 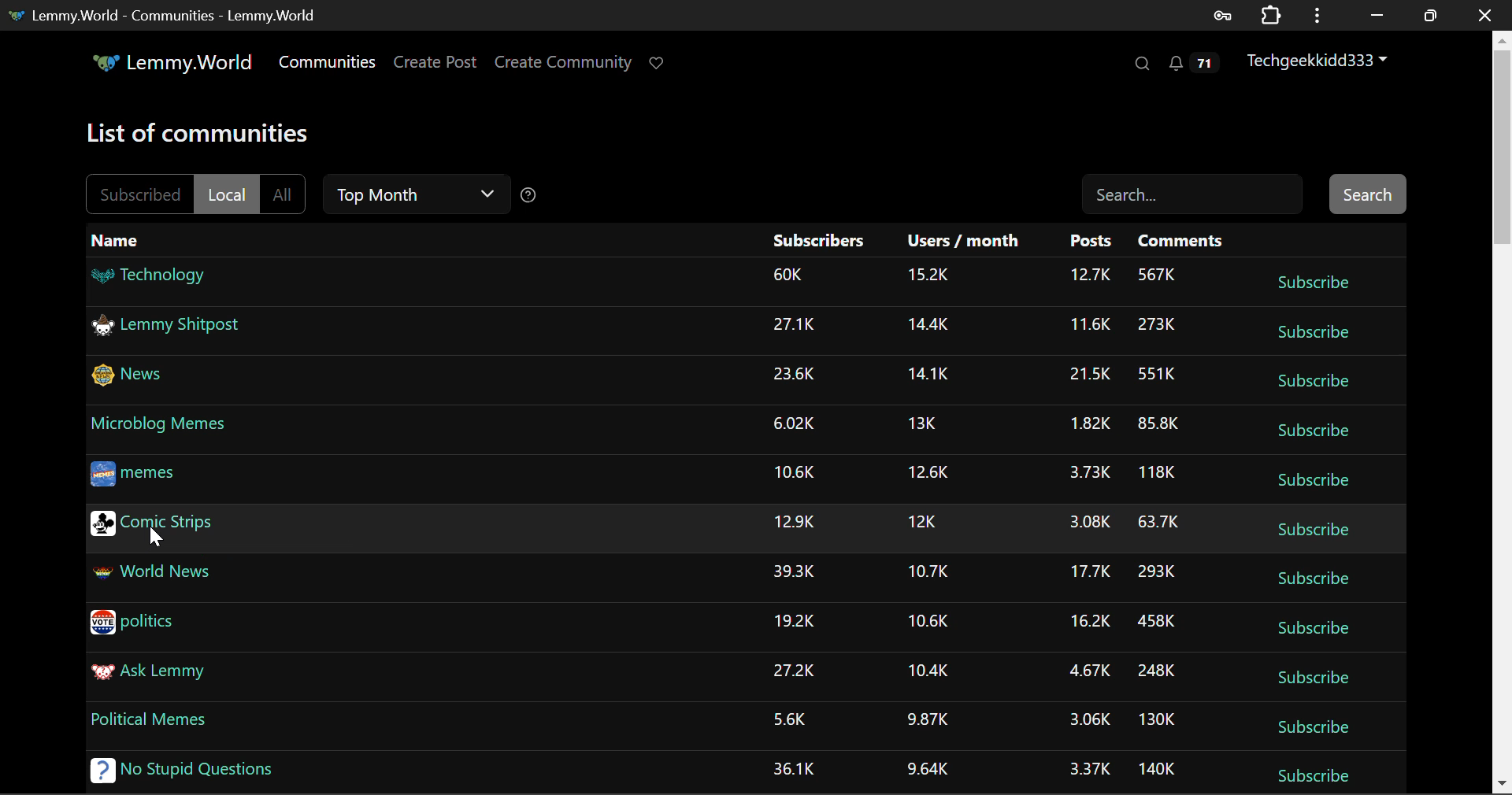 I want to click on 21.5K, so click(x=1086, y=375).